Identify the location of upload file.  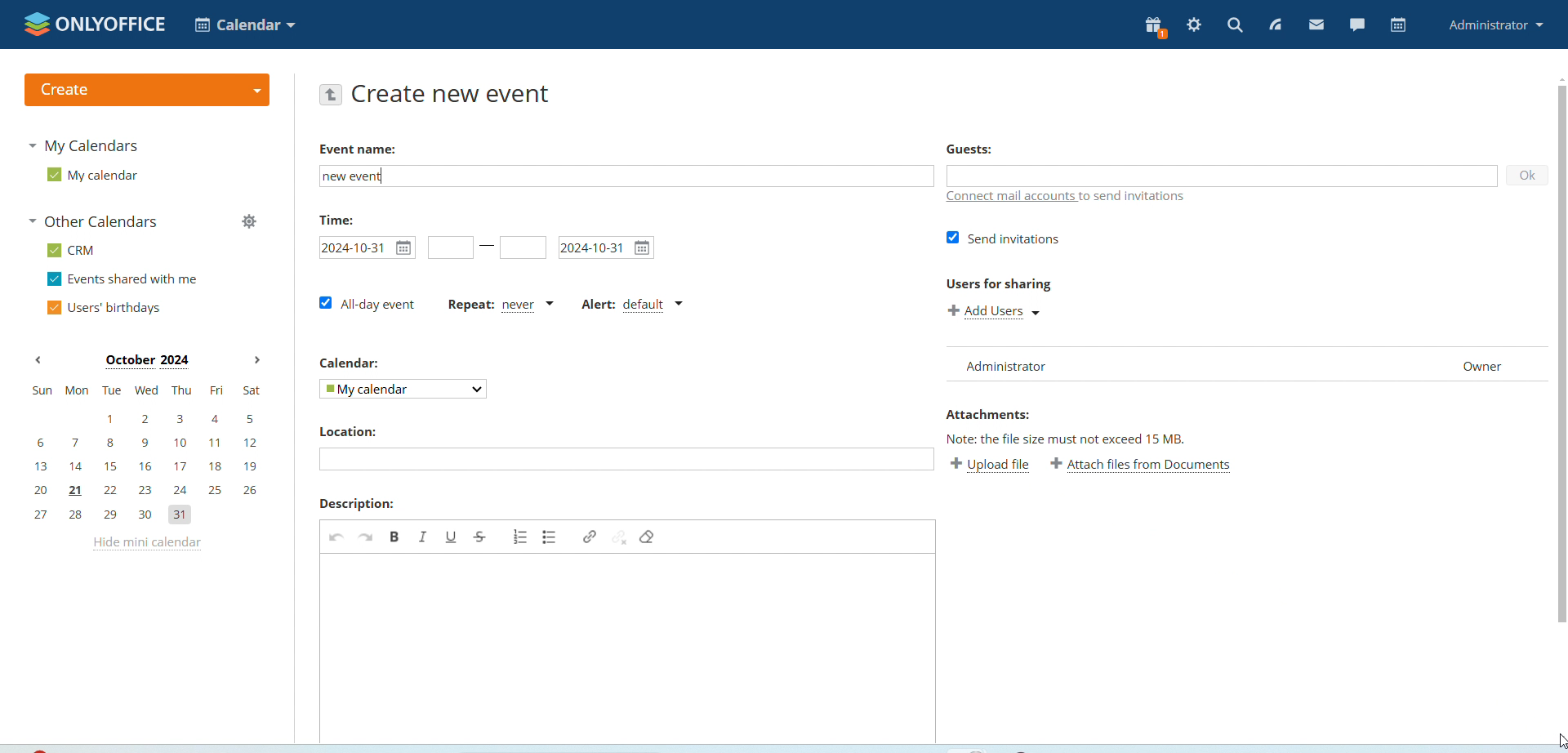
(991, 466).